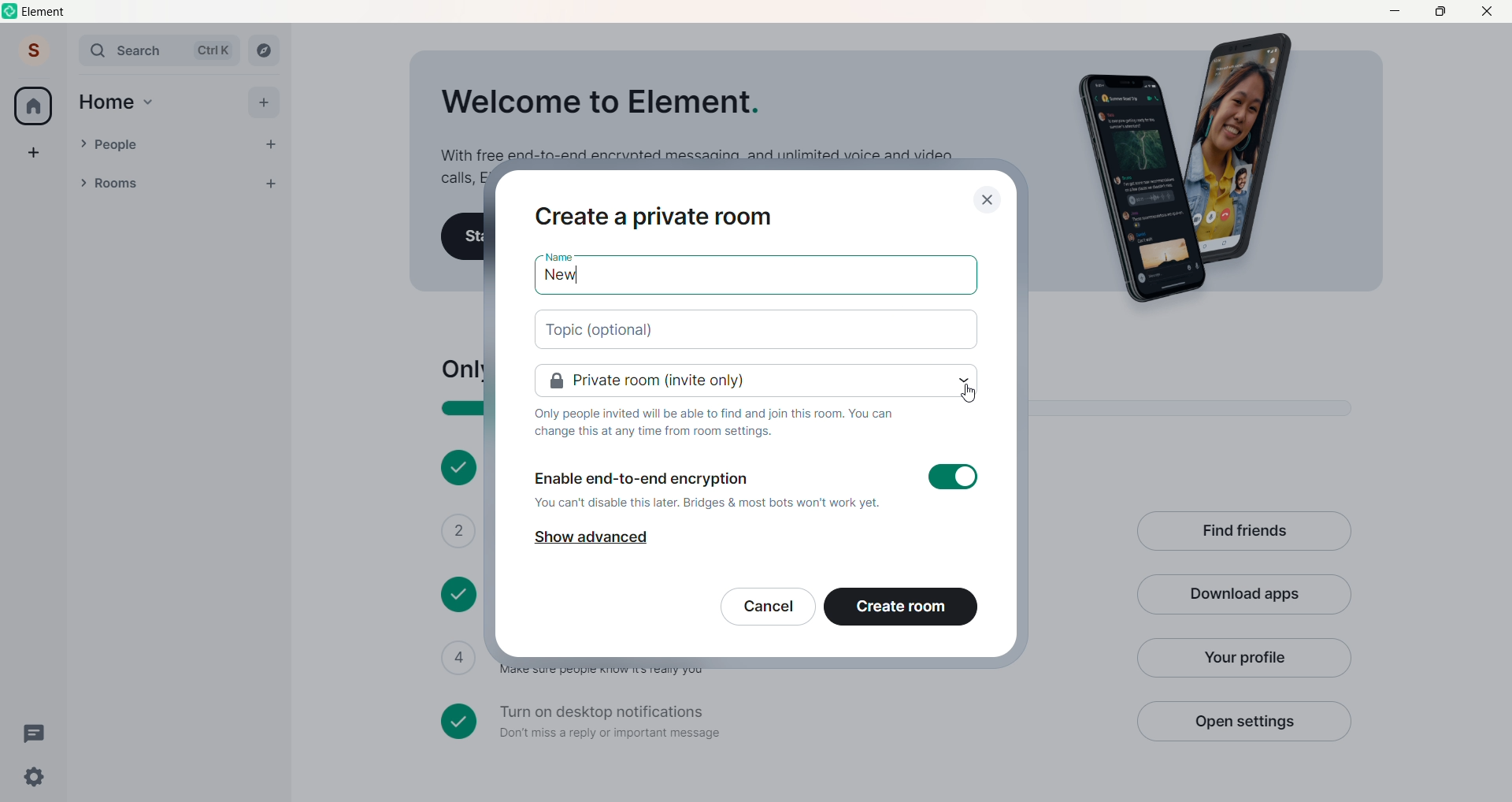 The width and height of the screenshot is (1512, 802). I want to click on People, so click(172, 145).